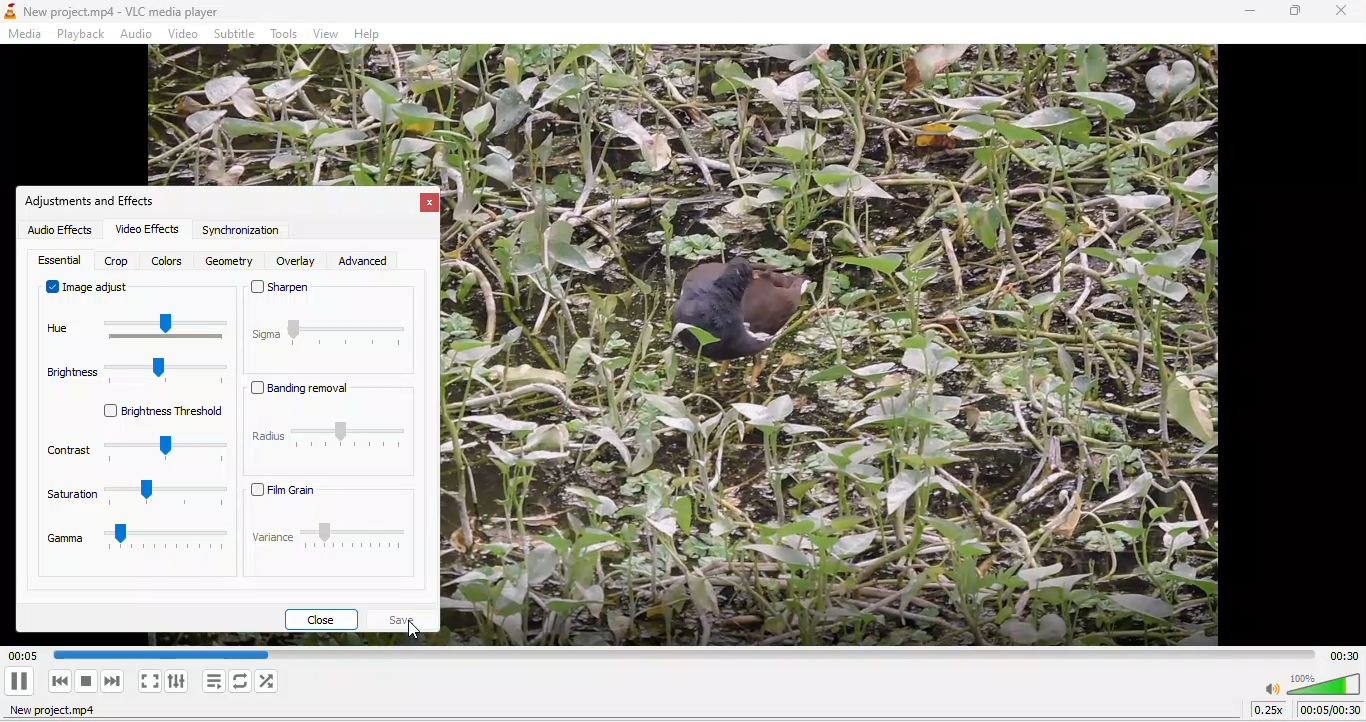 Image resolution: width=1366 pixels, height=722 pixels. What do you see at coordinates (1264, 713) in the screenshot?
I see `0.25 x` at bounding box center [1264, 713].